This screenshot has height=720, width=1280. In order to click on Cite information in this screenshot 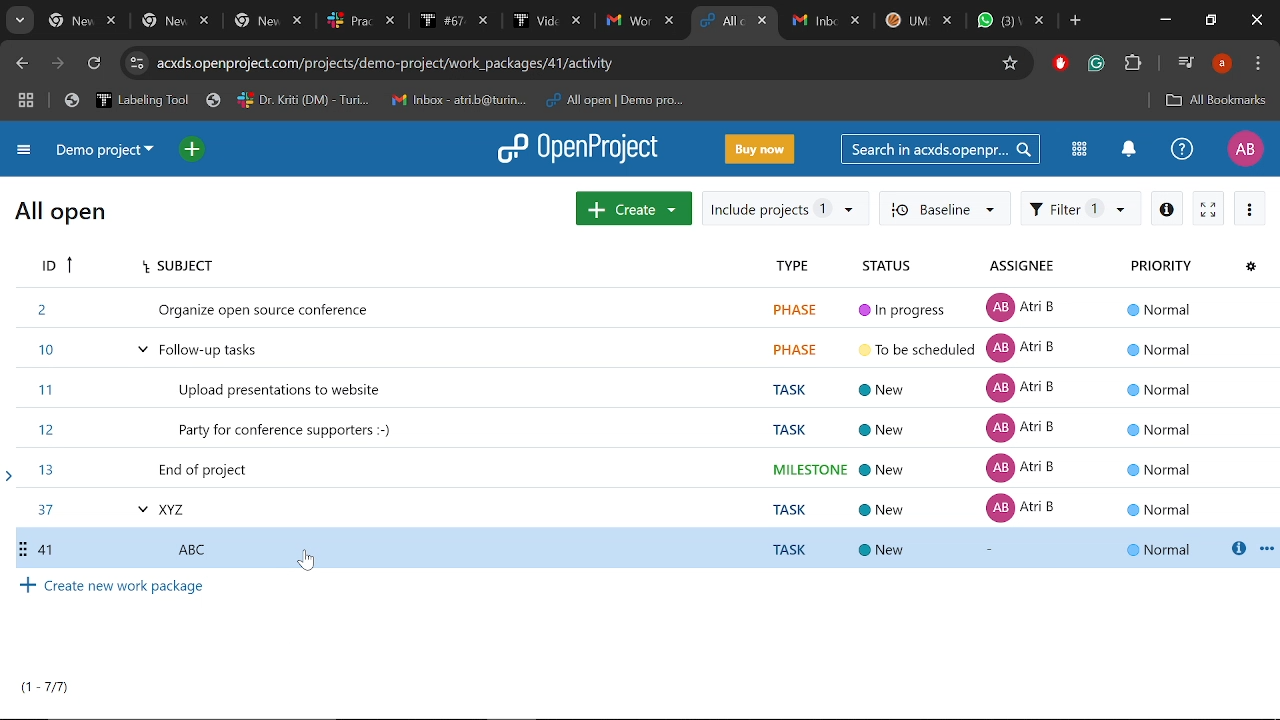, I will do `click(136, 63)`.